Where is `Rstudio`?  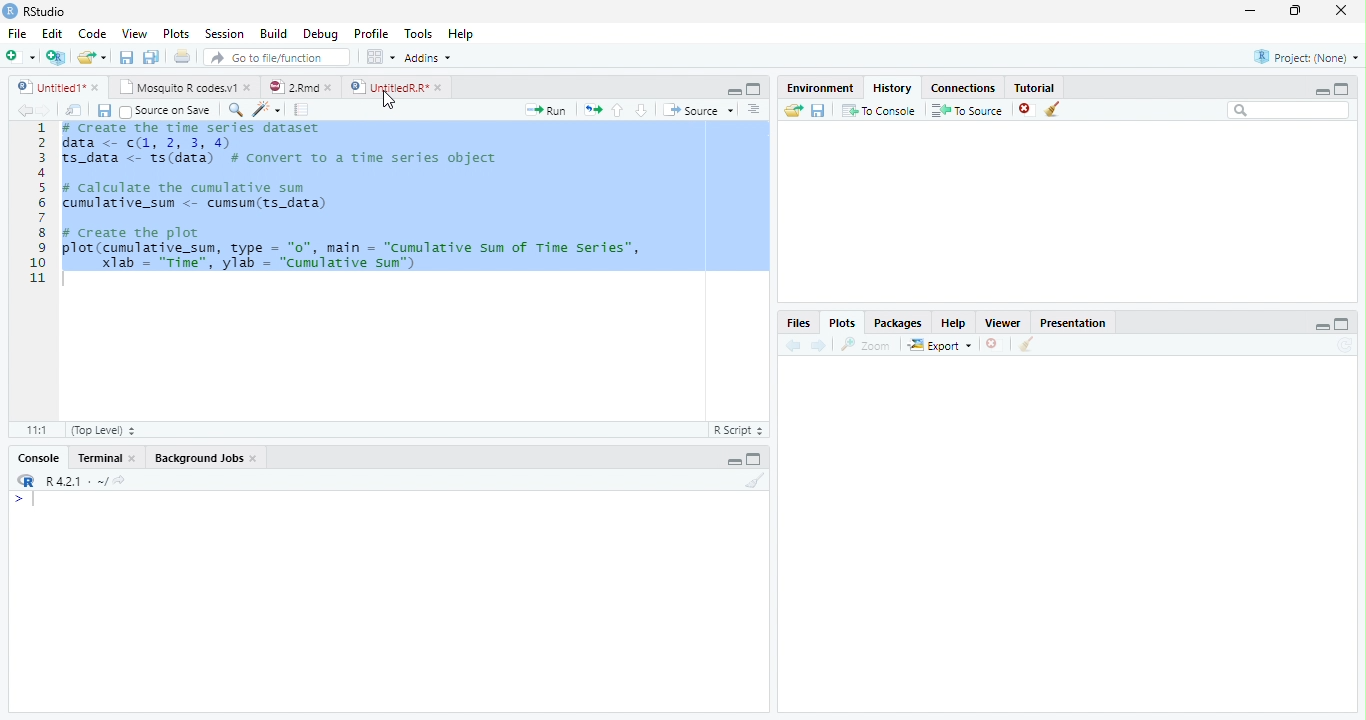
Rstudio is located at coordinates (36, 10).